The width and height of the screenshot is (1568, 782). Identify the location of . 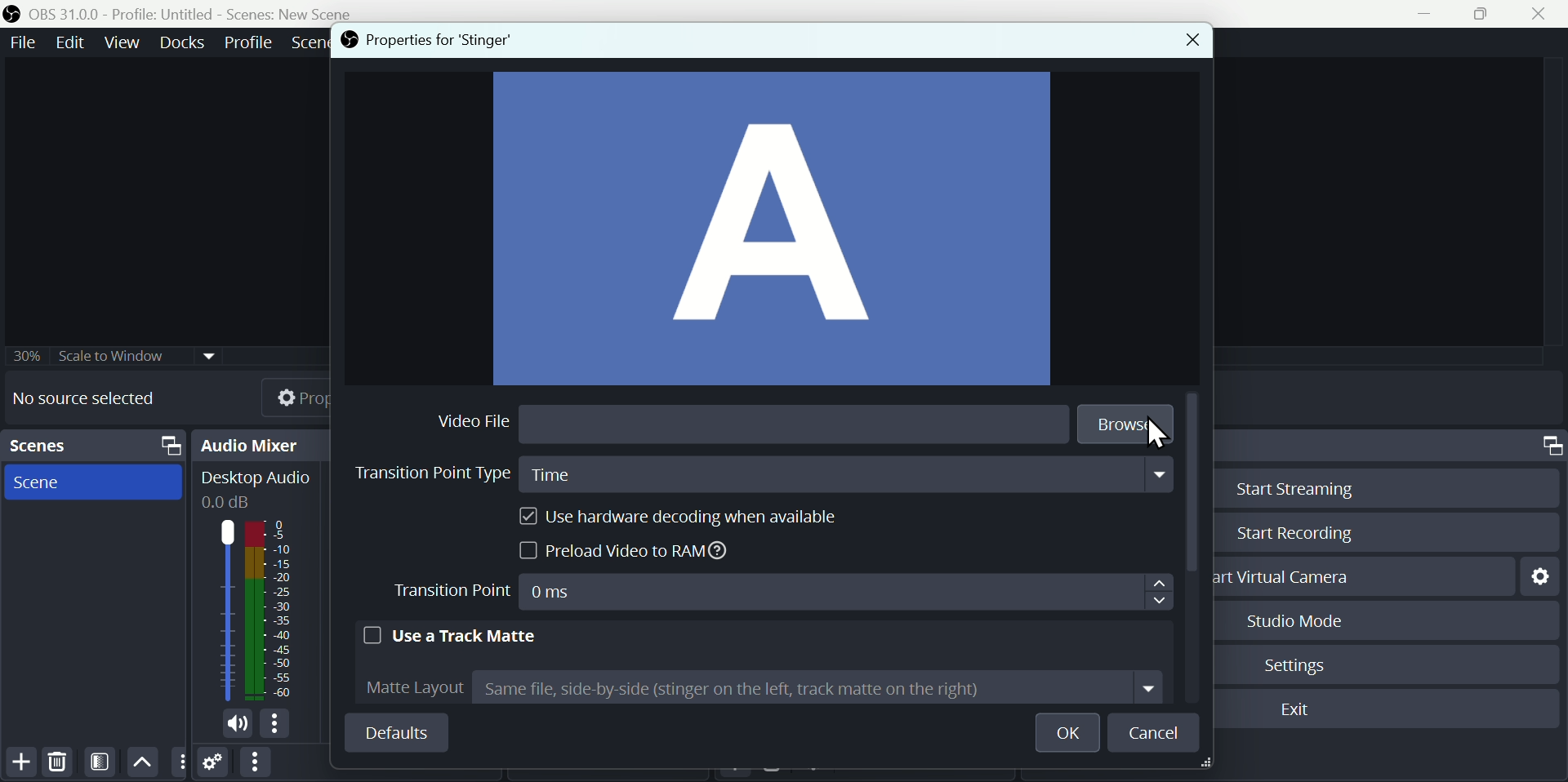
(125, 42).